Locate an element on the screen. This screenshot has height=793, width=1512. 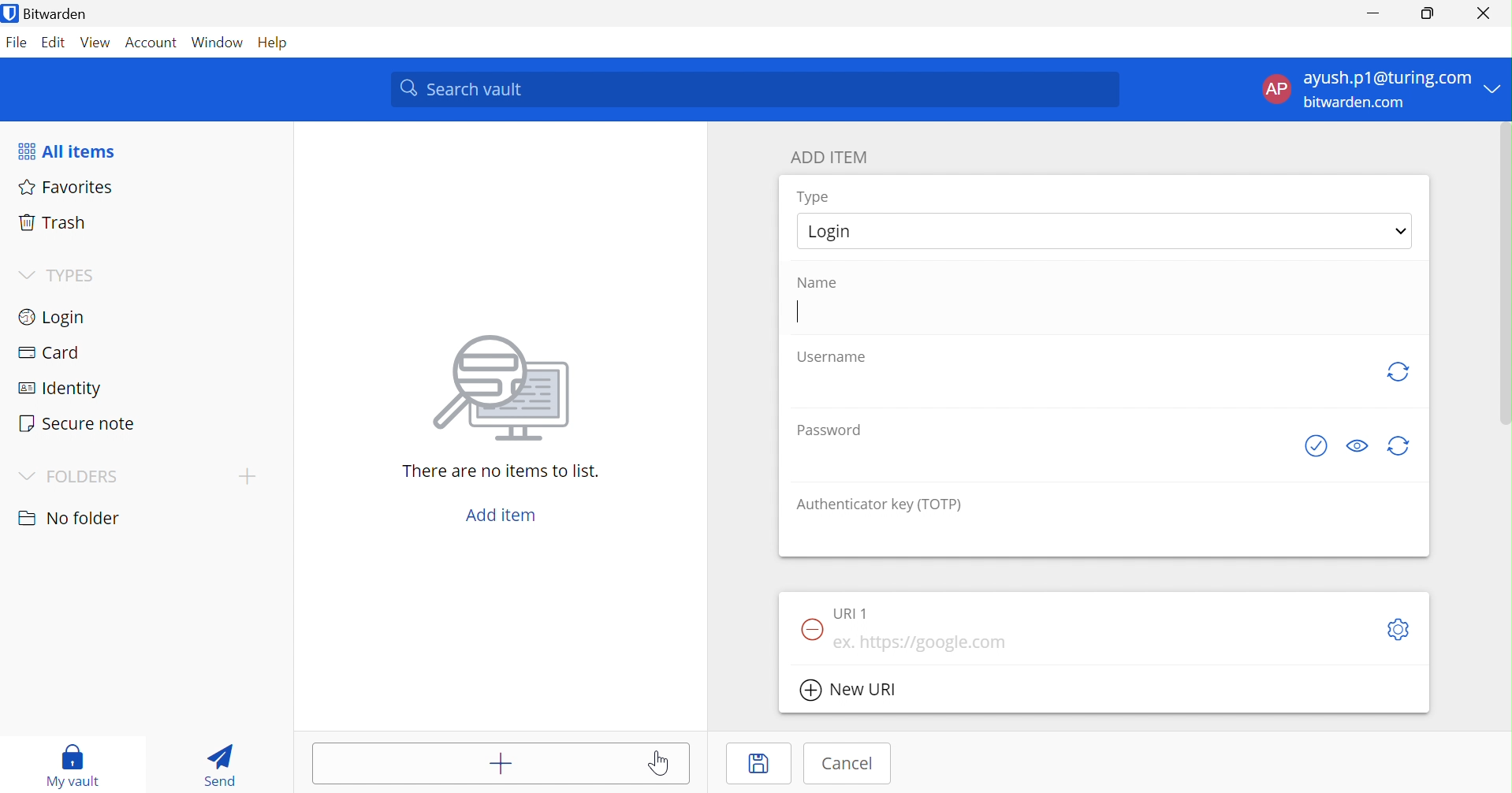
All items is located at coordinates (65, 152).